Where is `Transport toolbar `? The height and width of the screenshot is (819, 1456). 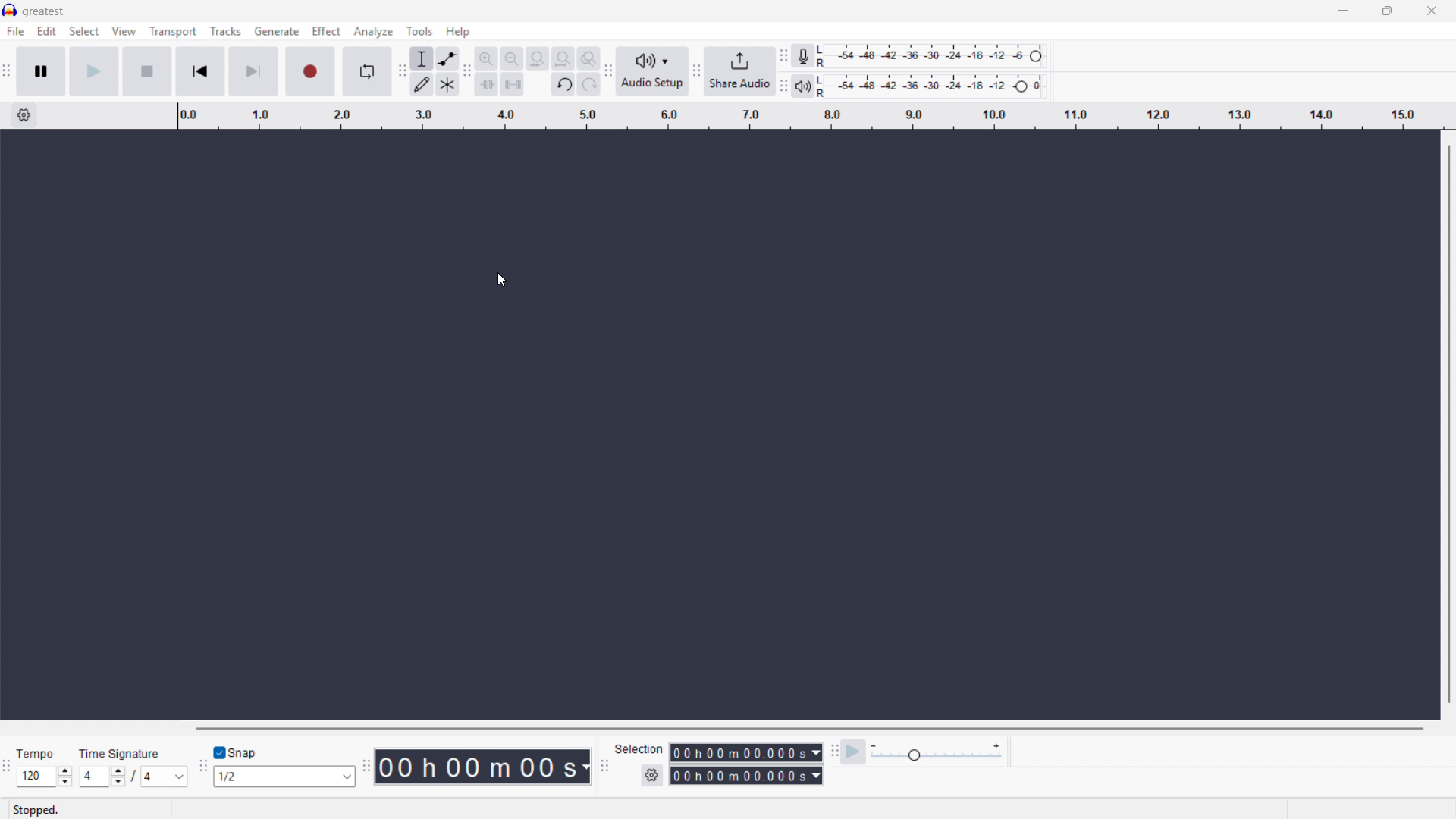
Transport toolbar  is located at coordinates (7, 74).